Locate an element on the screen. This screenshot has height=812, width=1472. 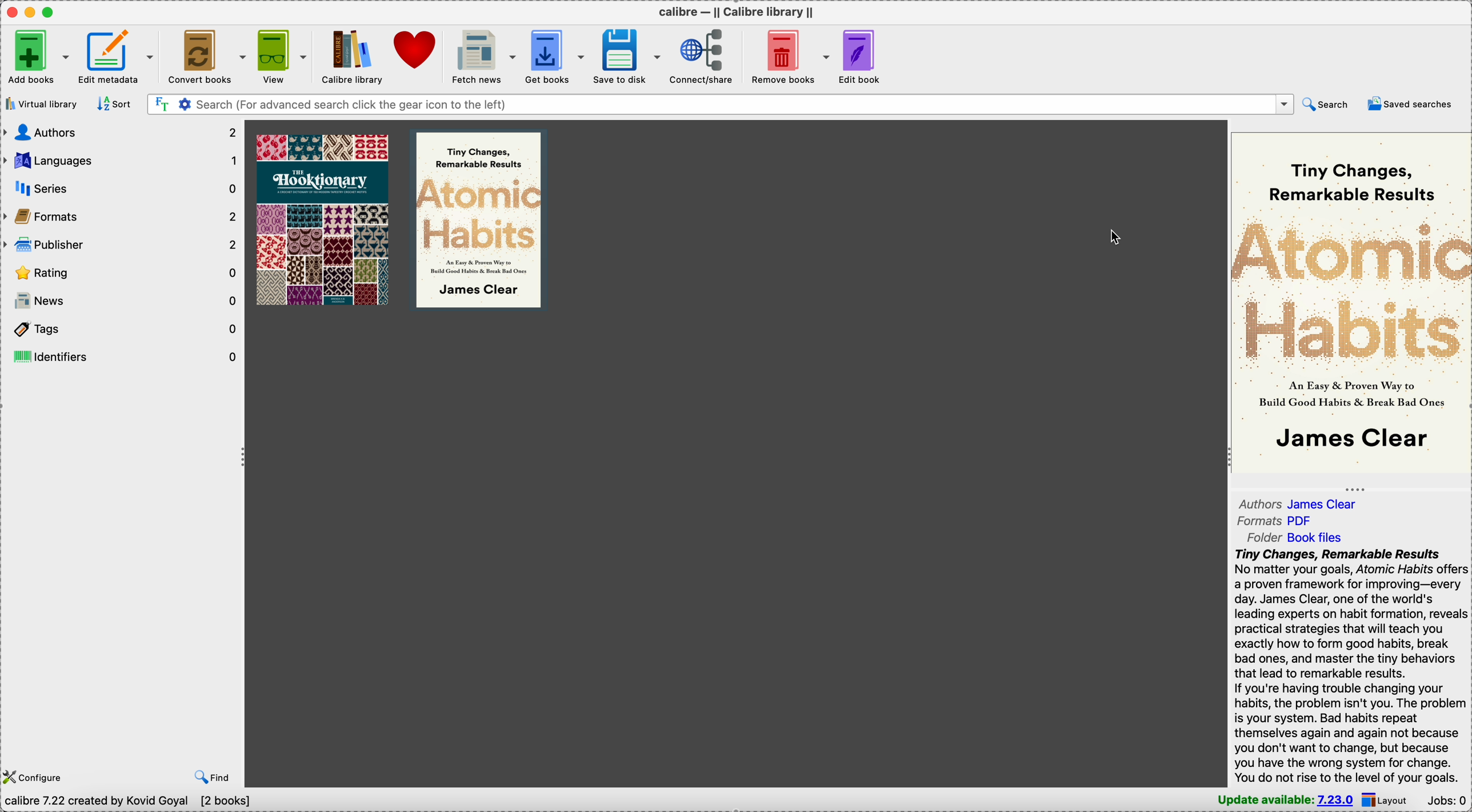
series is located at coordinates (122, 187).